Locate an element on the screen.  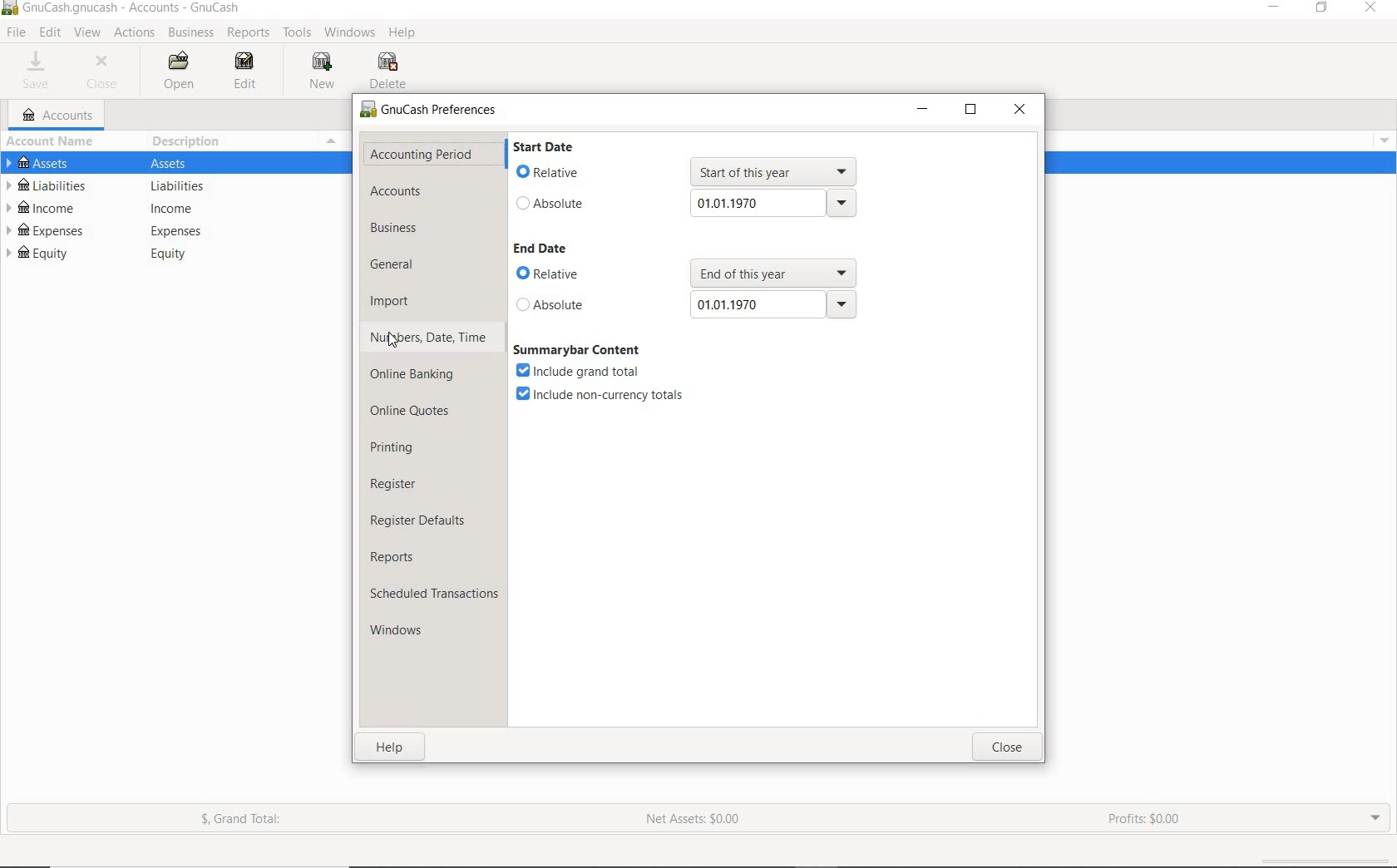
start of this year is located at coordinates (777, 171).